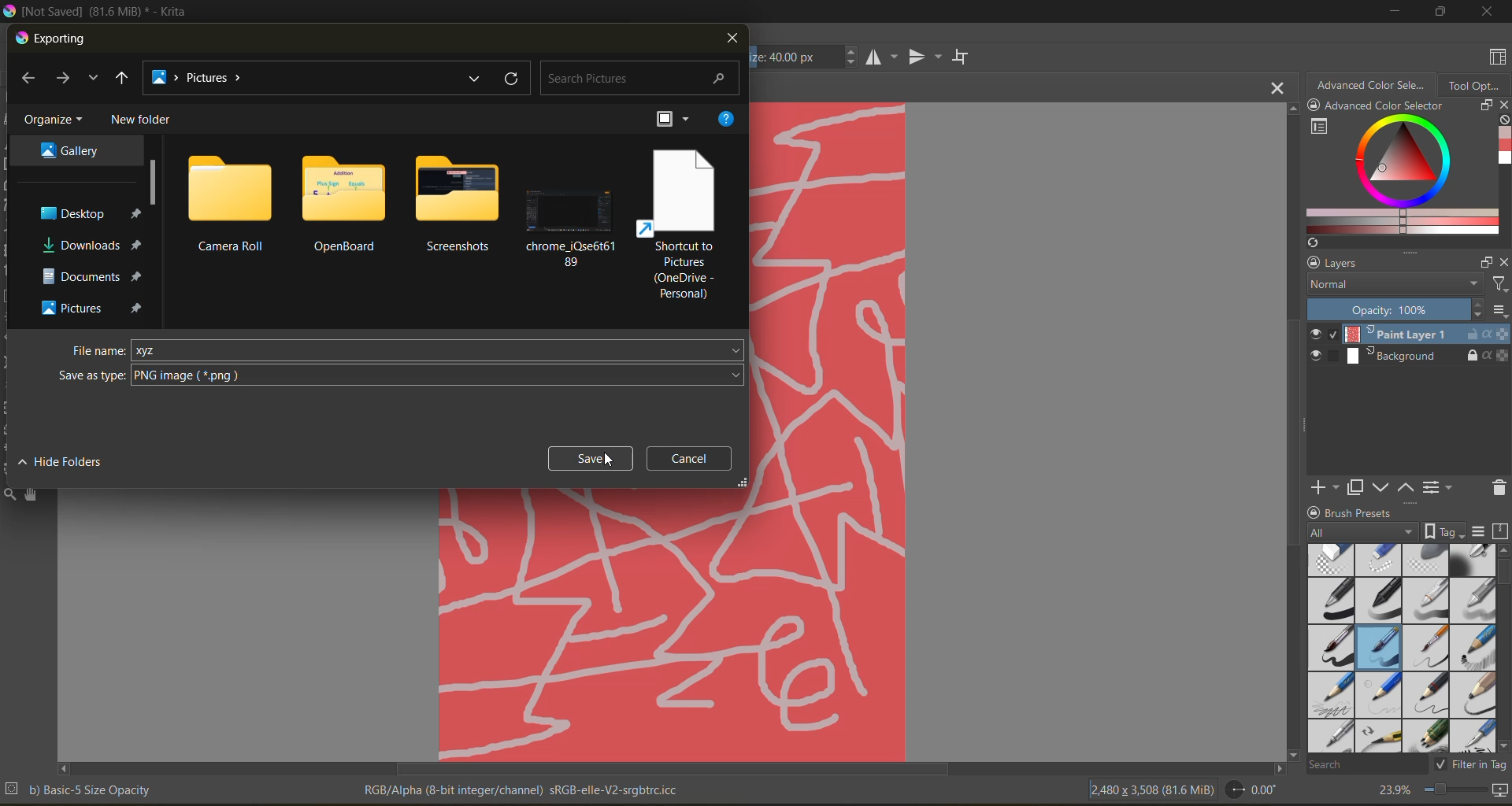 The image size is (1512, 806). Describe the element at coordinates (766, 88) in the screenshot. I see `[Not Saved] (81.6 MiB) *` at that location.